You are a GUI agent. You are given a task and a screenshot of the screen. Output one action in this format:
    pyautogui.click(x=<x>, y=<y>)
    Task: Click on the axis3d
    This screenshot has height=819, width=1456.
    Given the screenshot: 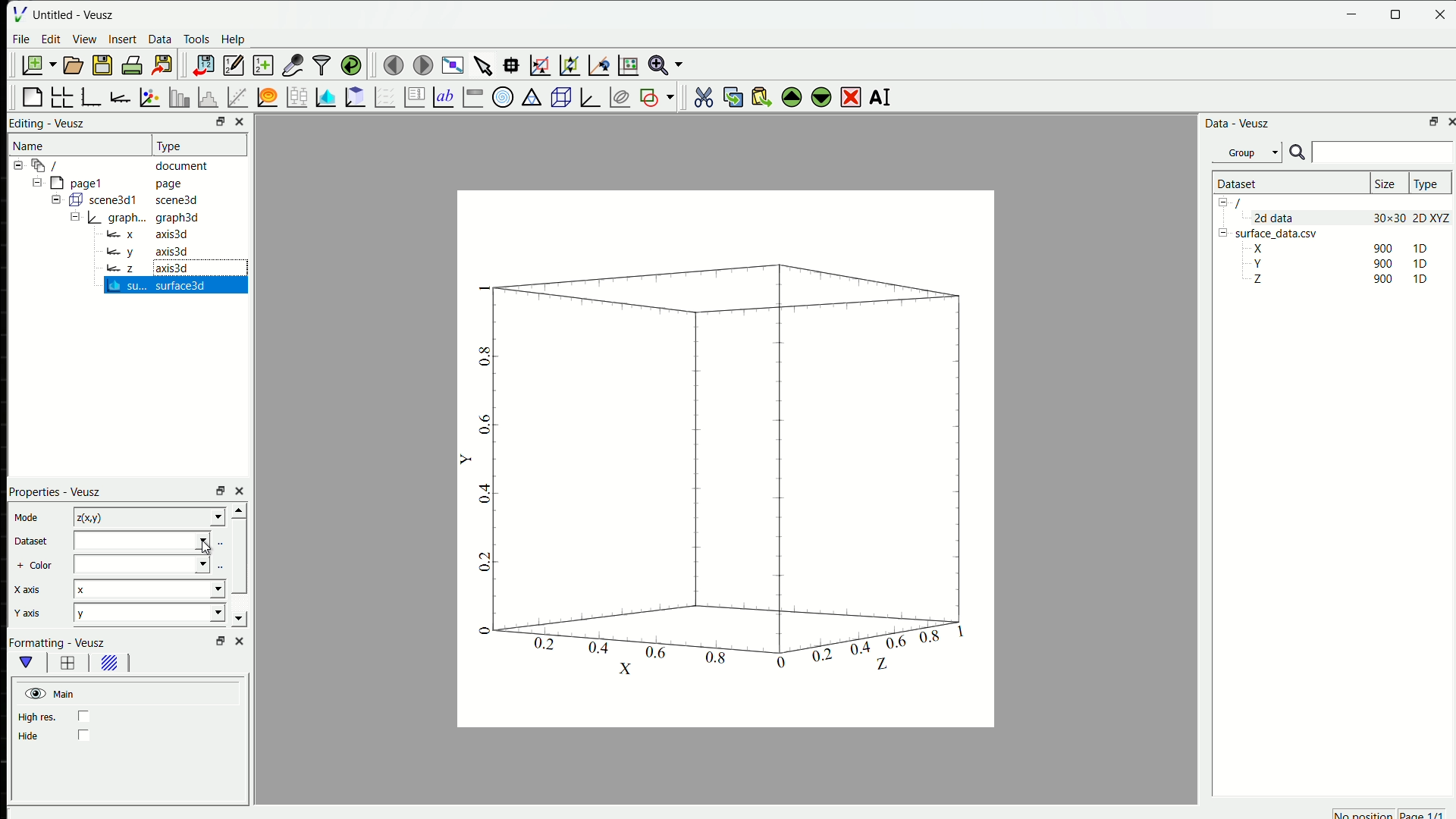 What is the action you would take?
    pyautogui.click(x=171, y=252)
    